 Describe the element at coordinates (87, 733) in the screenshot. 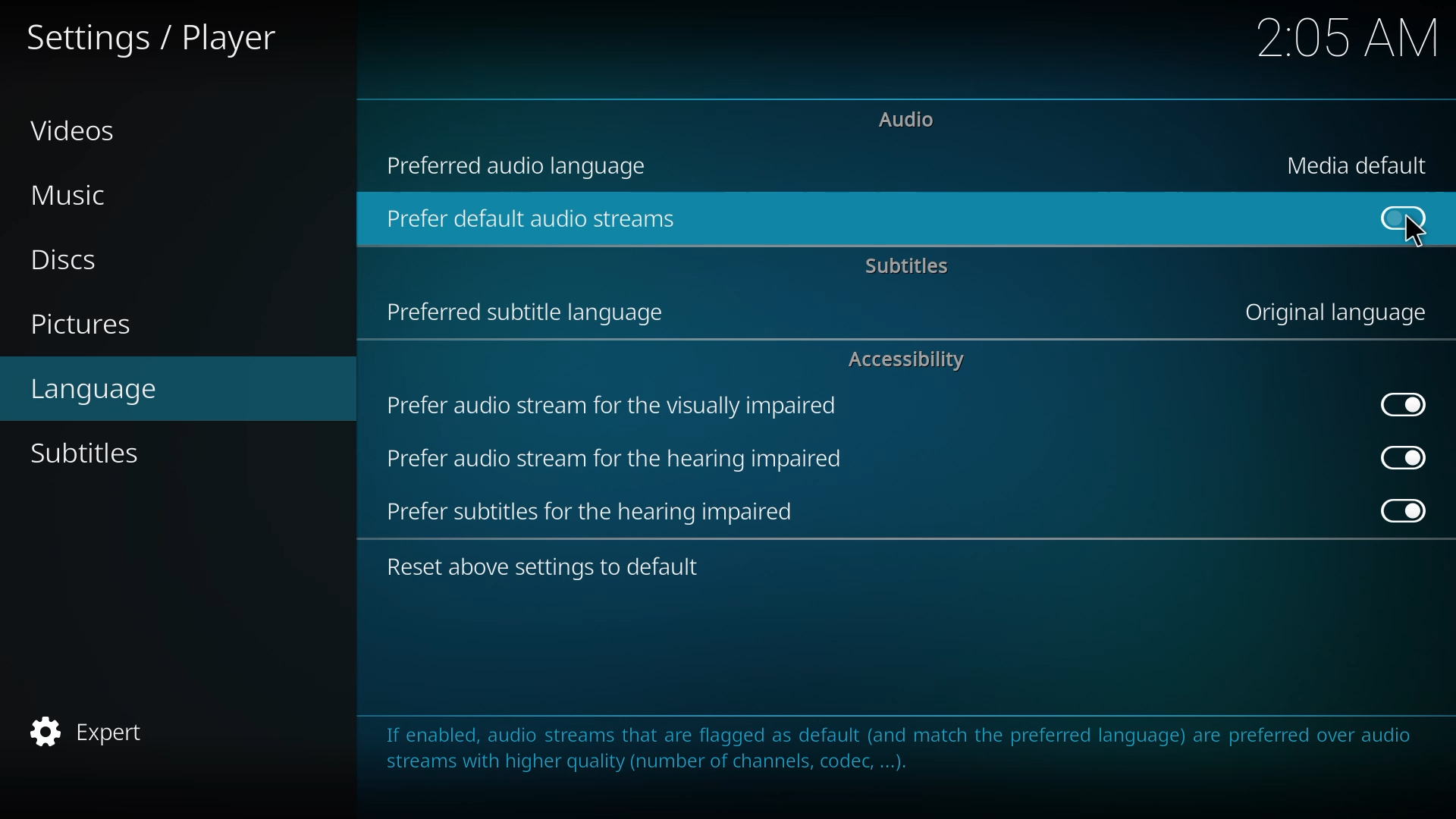

I see `expert` at that location.